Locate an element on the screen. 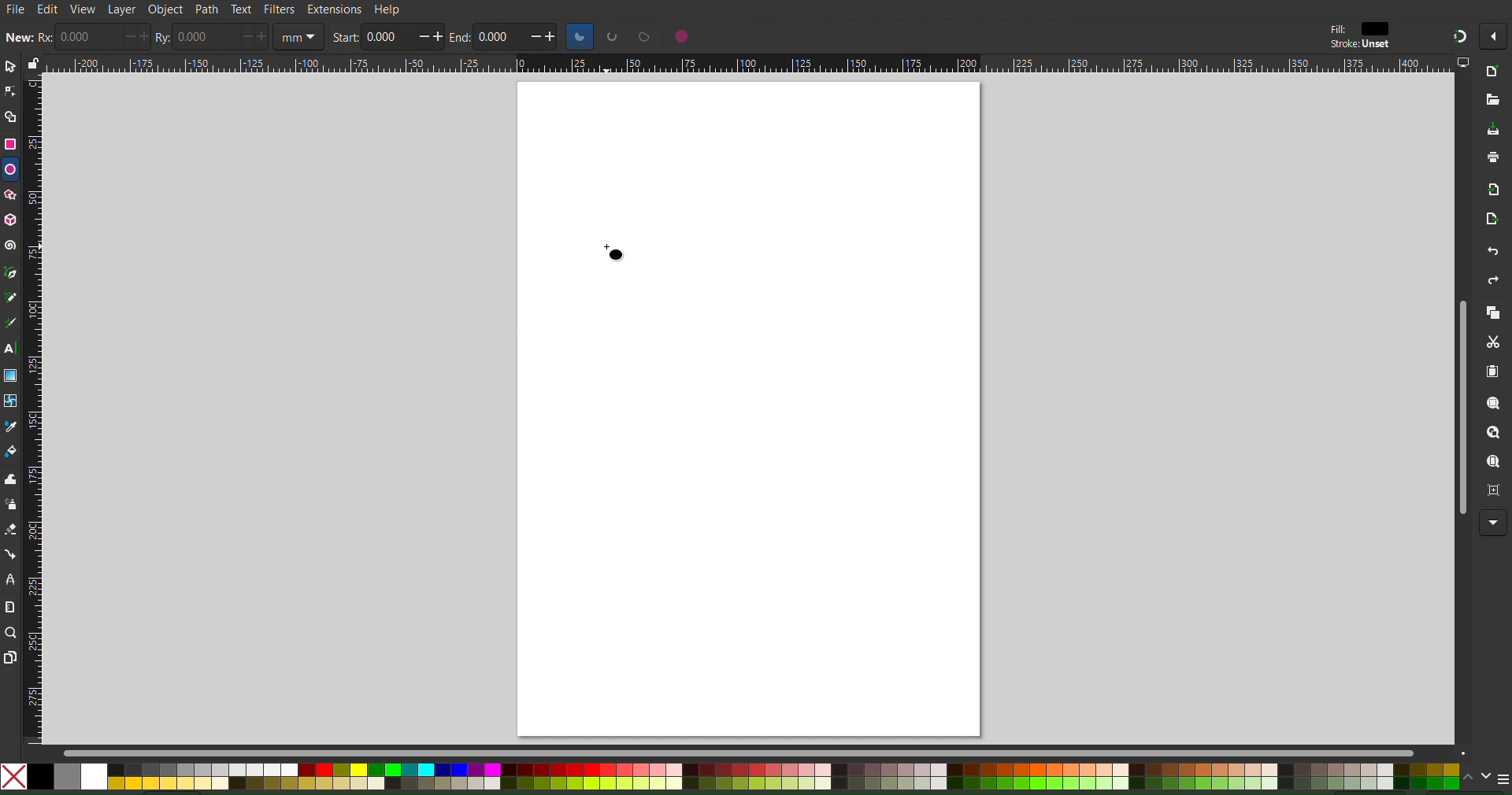 This screenshot has height=795, width=1512. new is located at coordinates (20, 38).